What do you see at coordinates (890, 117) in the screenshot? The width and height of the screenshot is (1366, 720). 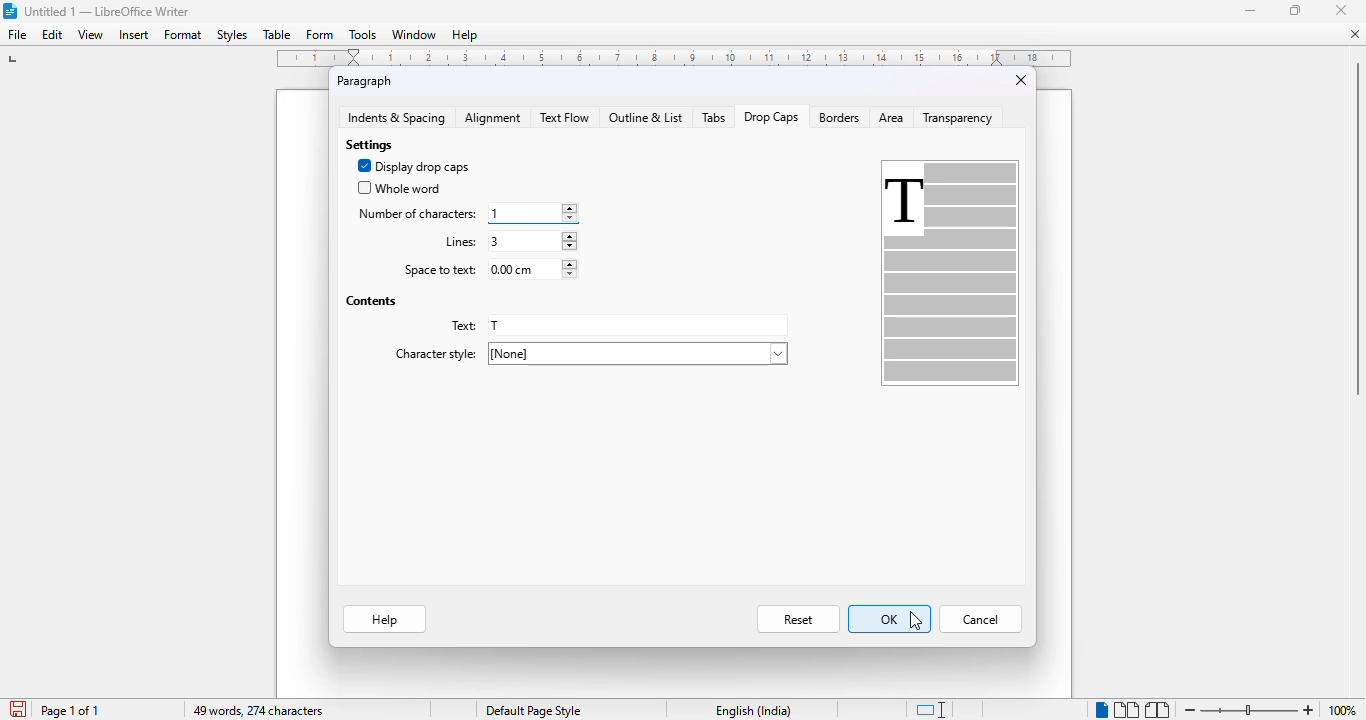 I see `area` at bounding box center [890, 117].